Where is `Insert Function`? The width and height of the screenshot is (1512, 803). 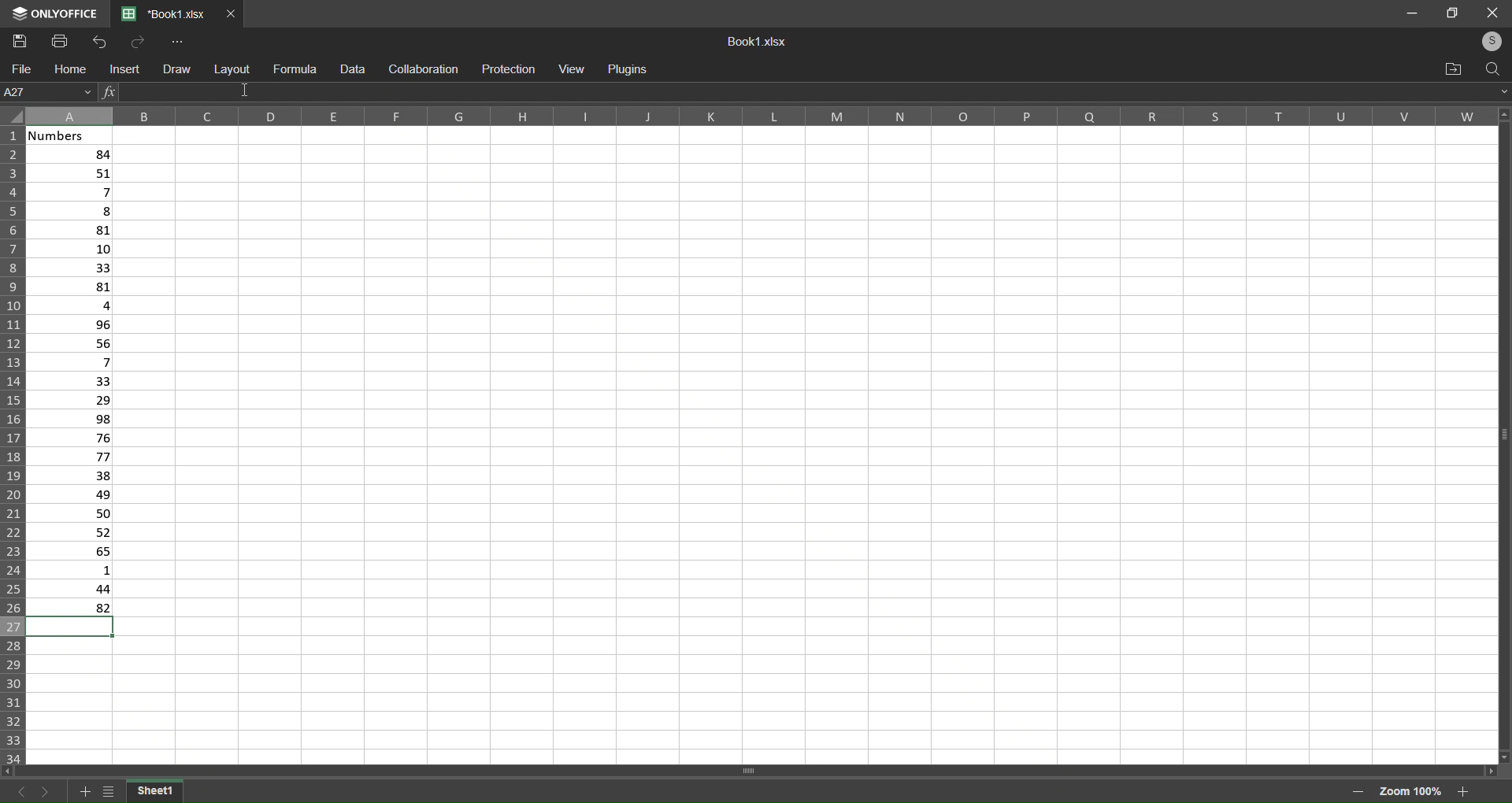
Insert Function is located at coordinates (109, 94).